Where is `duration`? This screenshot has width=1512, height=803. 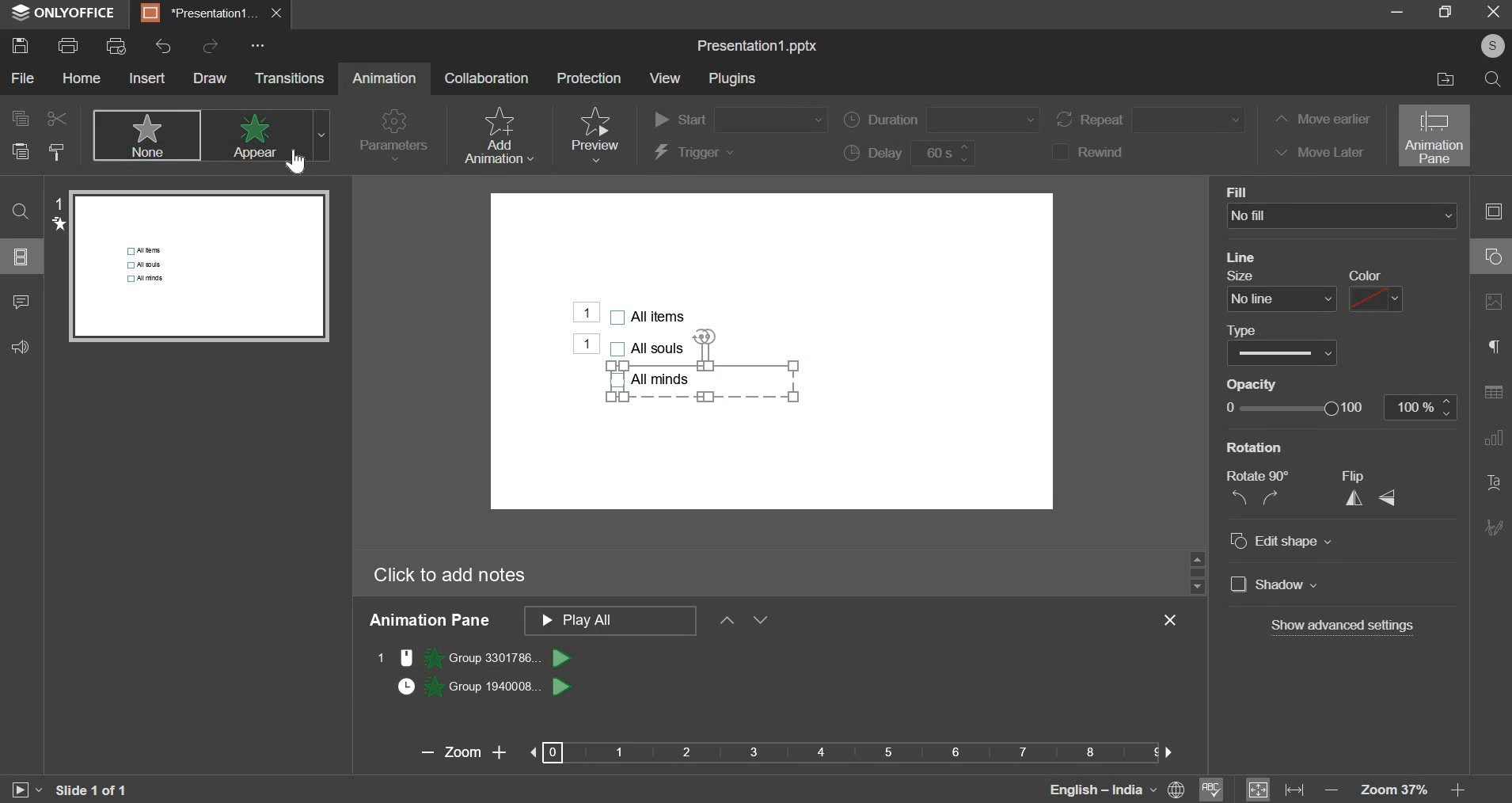
duration is located at coordinates (940, 120).